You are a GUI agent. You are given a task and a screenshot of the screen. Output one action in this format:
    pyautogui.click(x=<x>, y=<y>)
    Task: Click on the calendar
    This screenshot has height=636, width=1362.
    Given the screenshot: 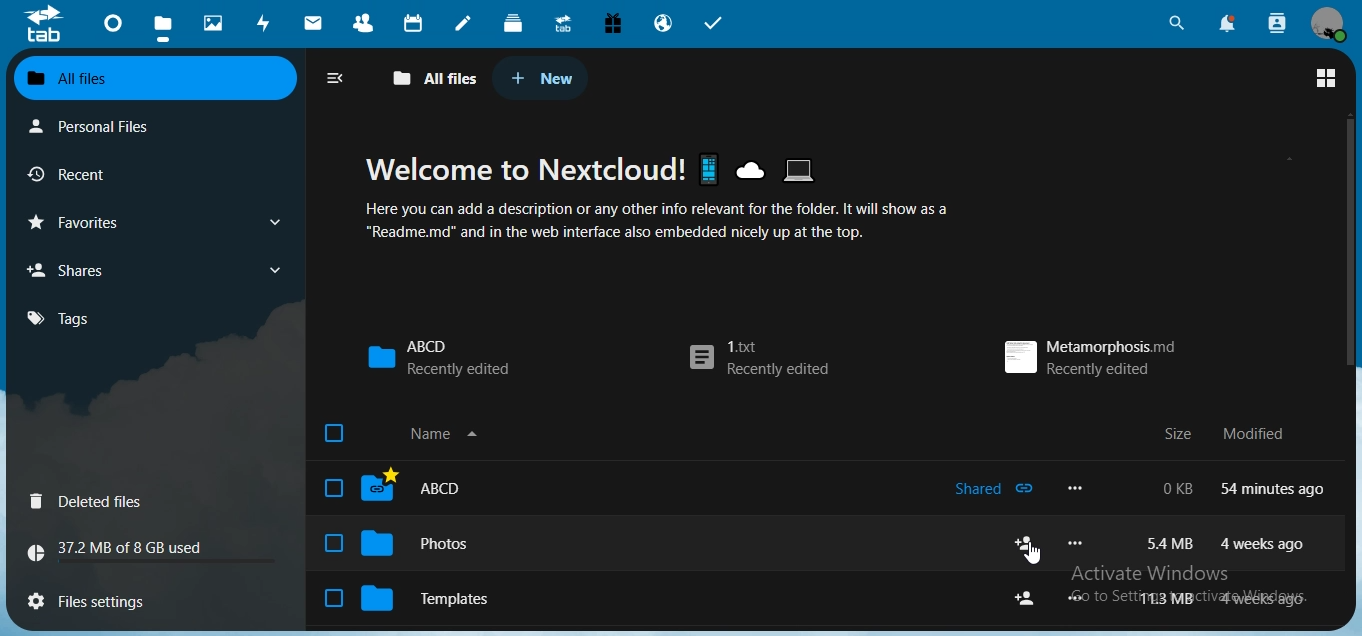 What is the action you would take?
    pyautogui.click(x=416, y=23)
    